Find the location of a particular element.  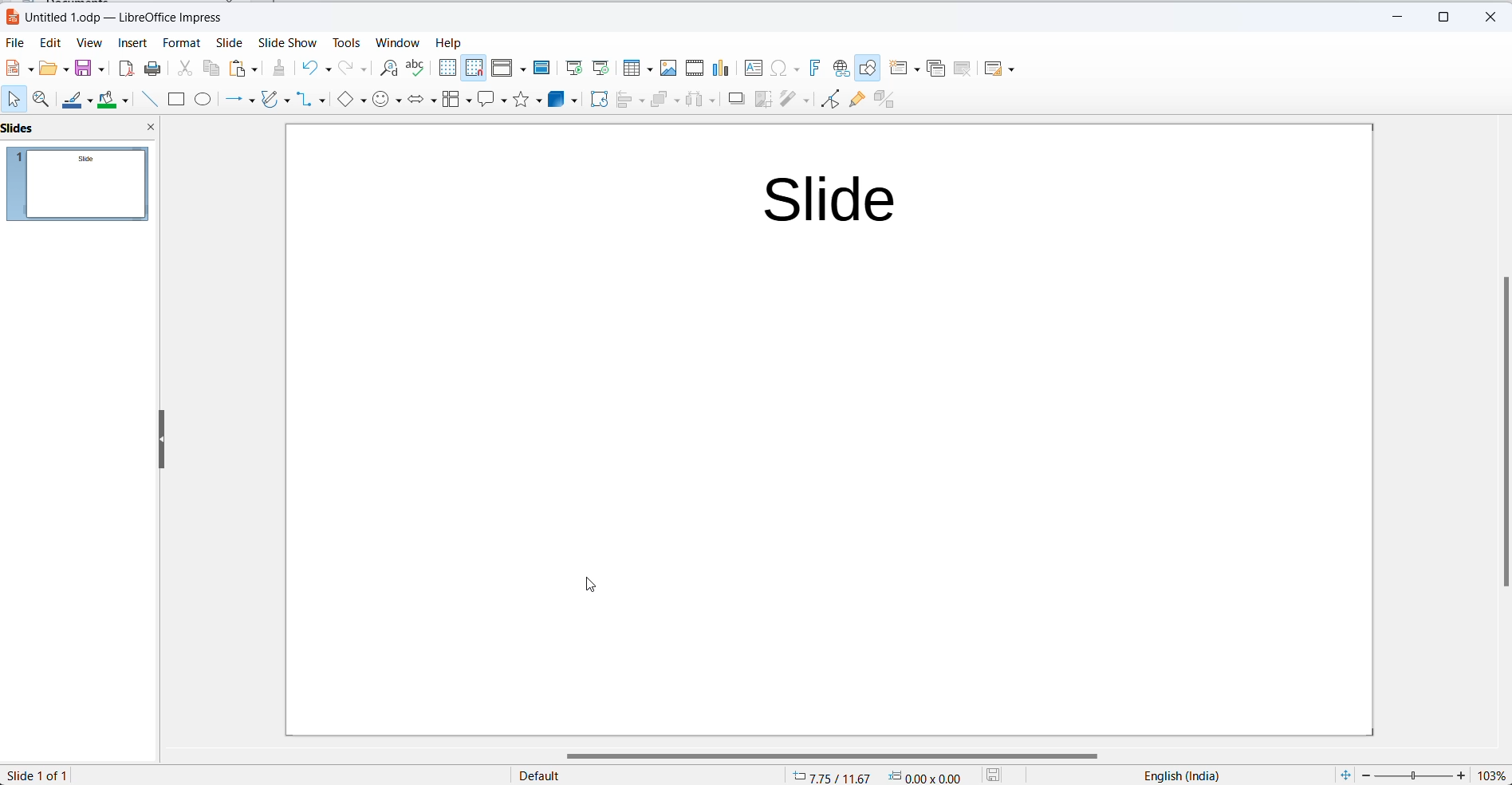

flow chart is located at coordinates (457, 102).